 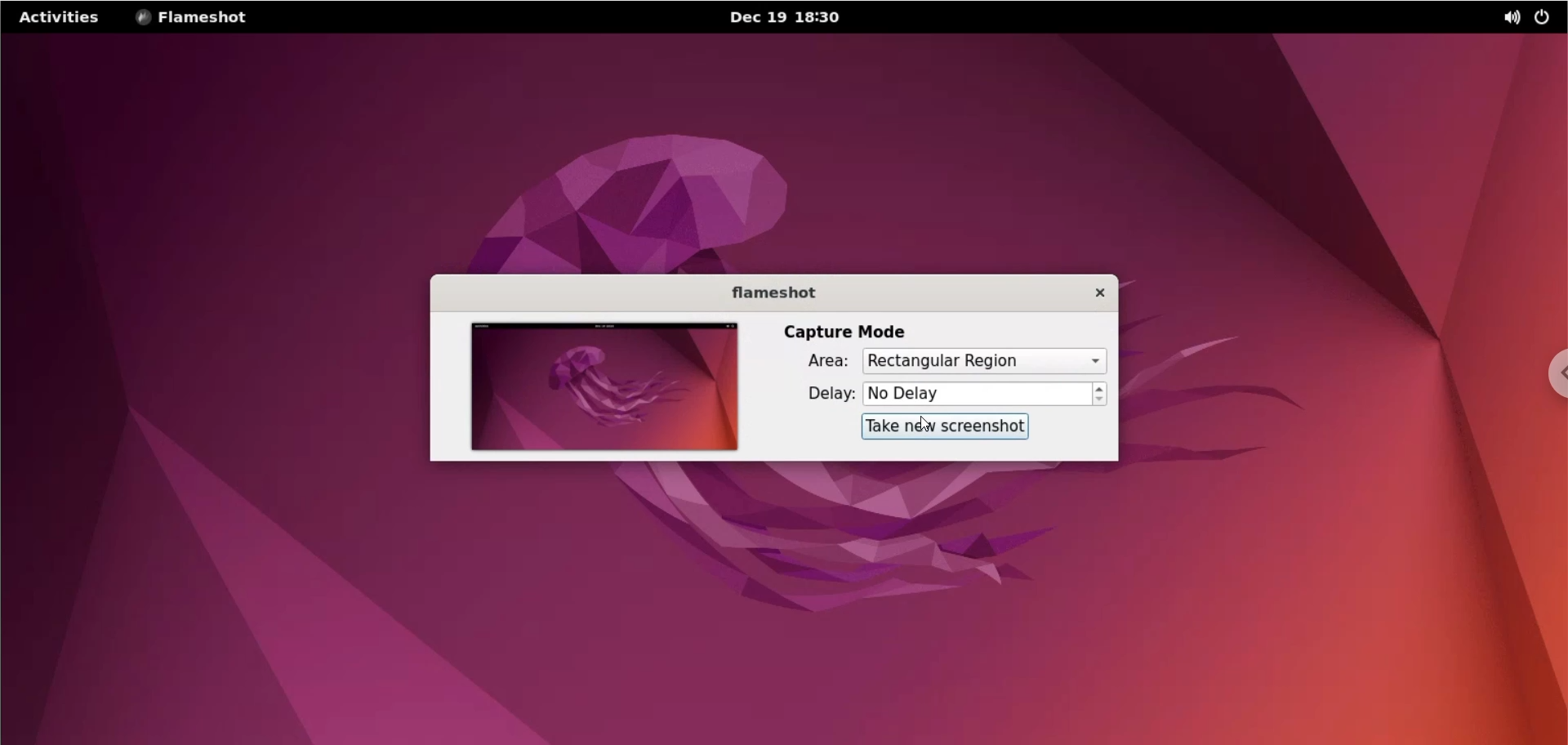 What do you see at coordinates (978, 393) in the screenshot?
I see `delay options` at bounding box center [978, 393].